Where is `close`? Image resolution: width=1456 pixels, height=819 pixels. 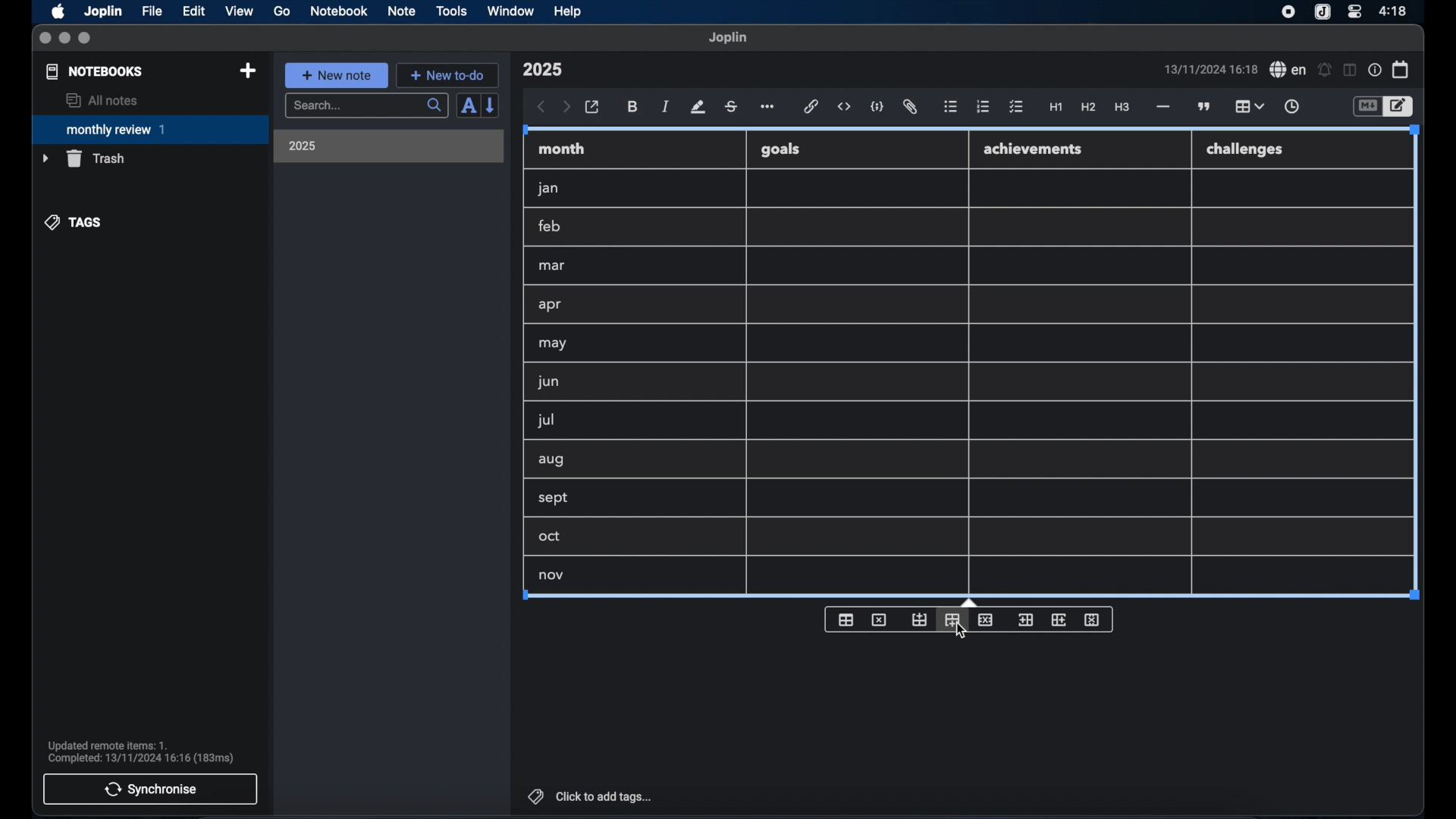
close is located at coordinates (45, 39).